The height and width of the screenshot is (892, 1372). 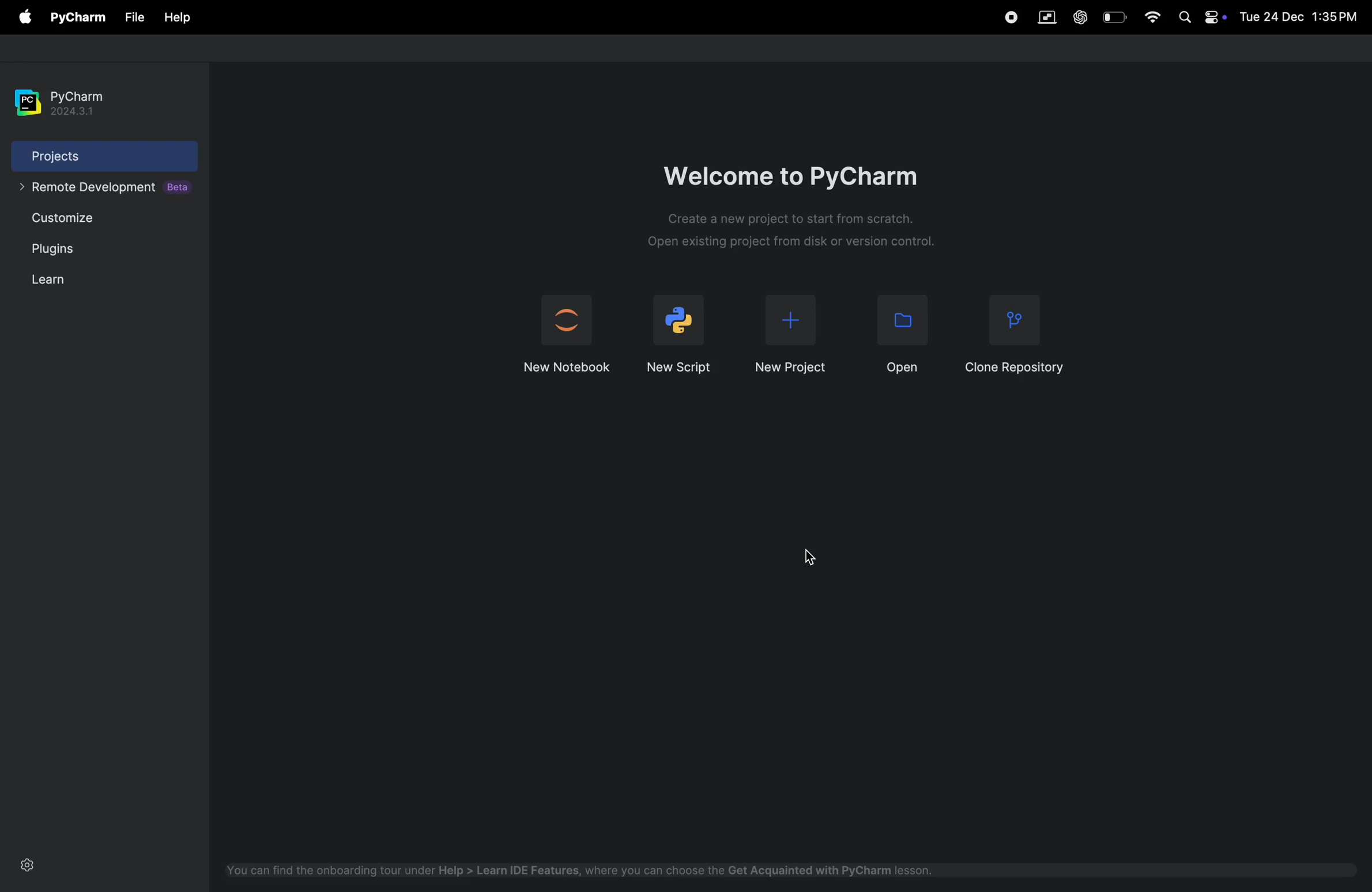 I want to click on chatgpt, so click(x=1078, y=18).